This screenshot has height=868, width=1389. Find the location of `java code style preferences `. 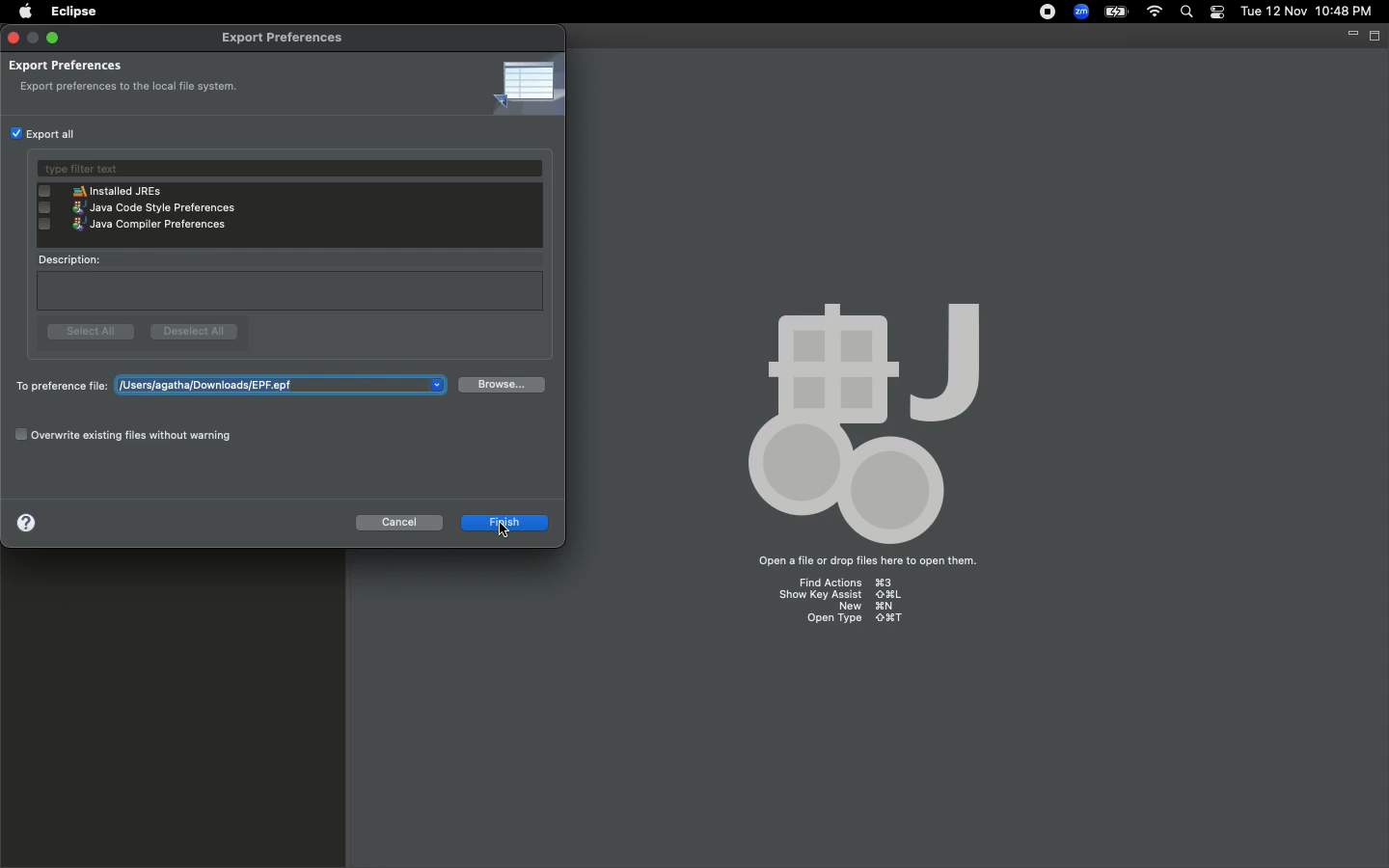

java code style preferences  is located at coordinates (139, 206).